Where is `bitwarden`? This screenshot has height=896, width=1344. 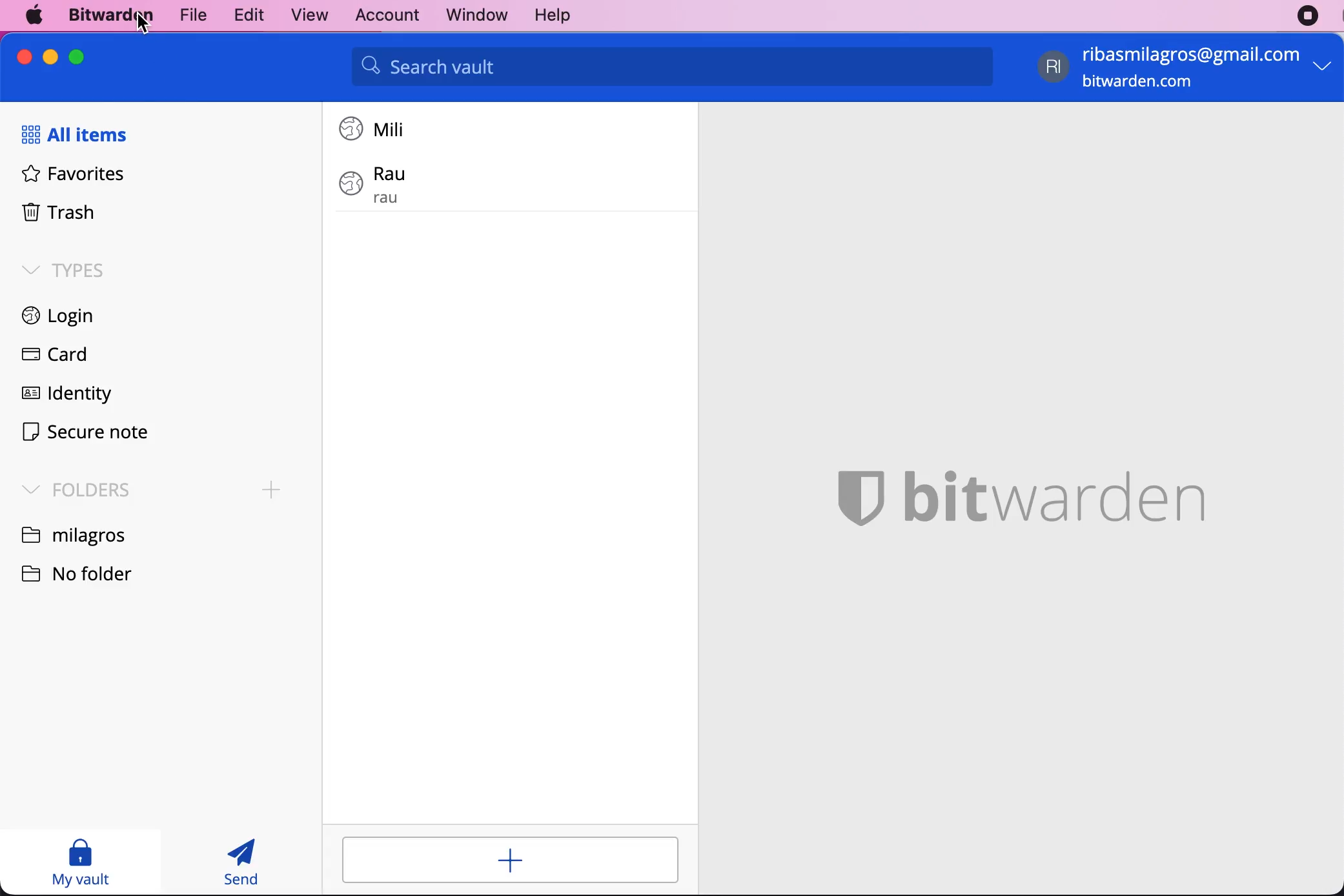 bitwarden is located at coordinates (108, 16).